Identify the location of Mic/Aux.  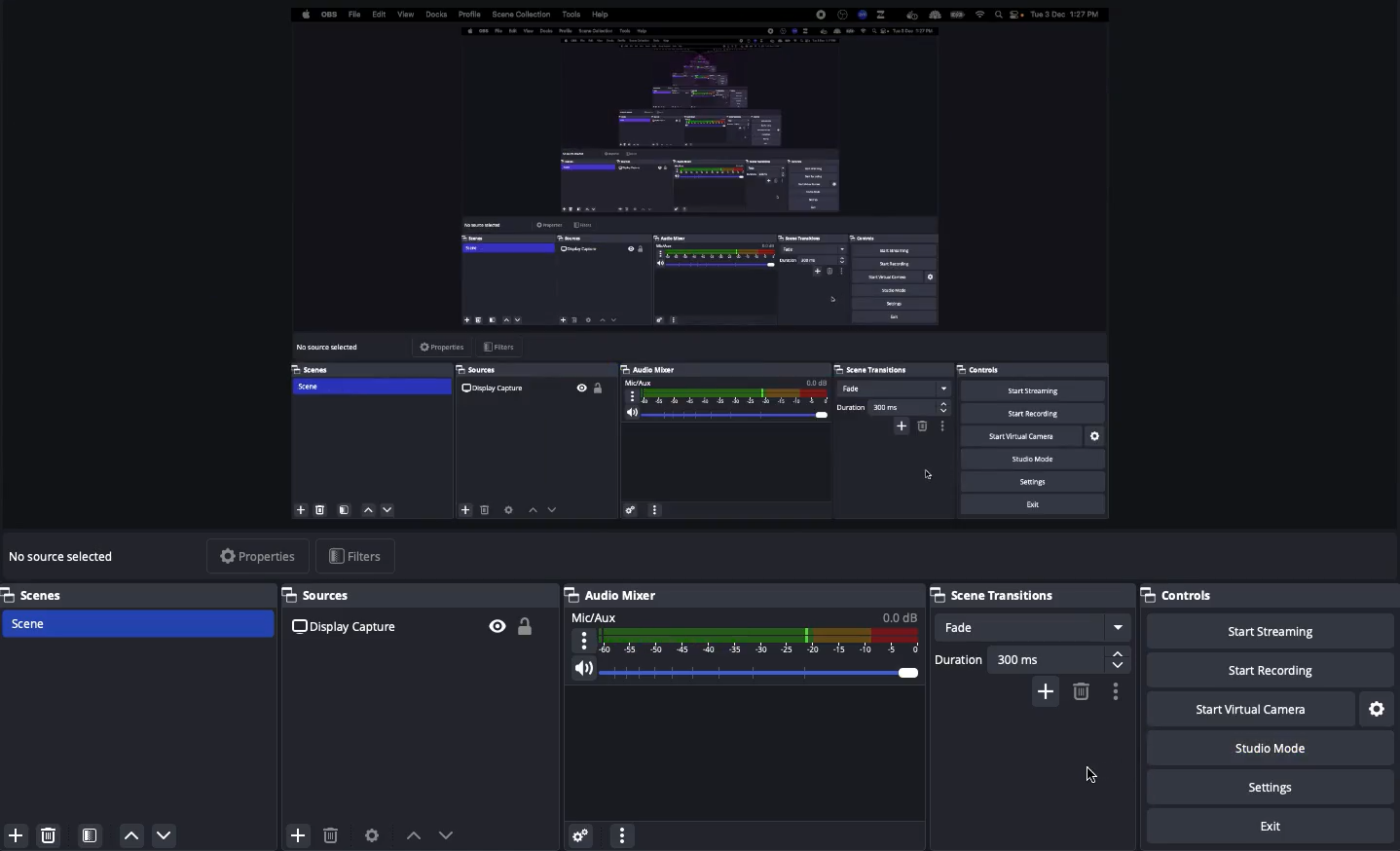
(742, 634).